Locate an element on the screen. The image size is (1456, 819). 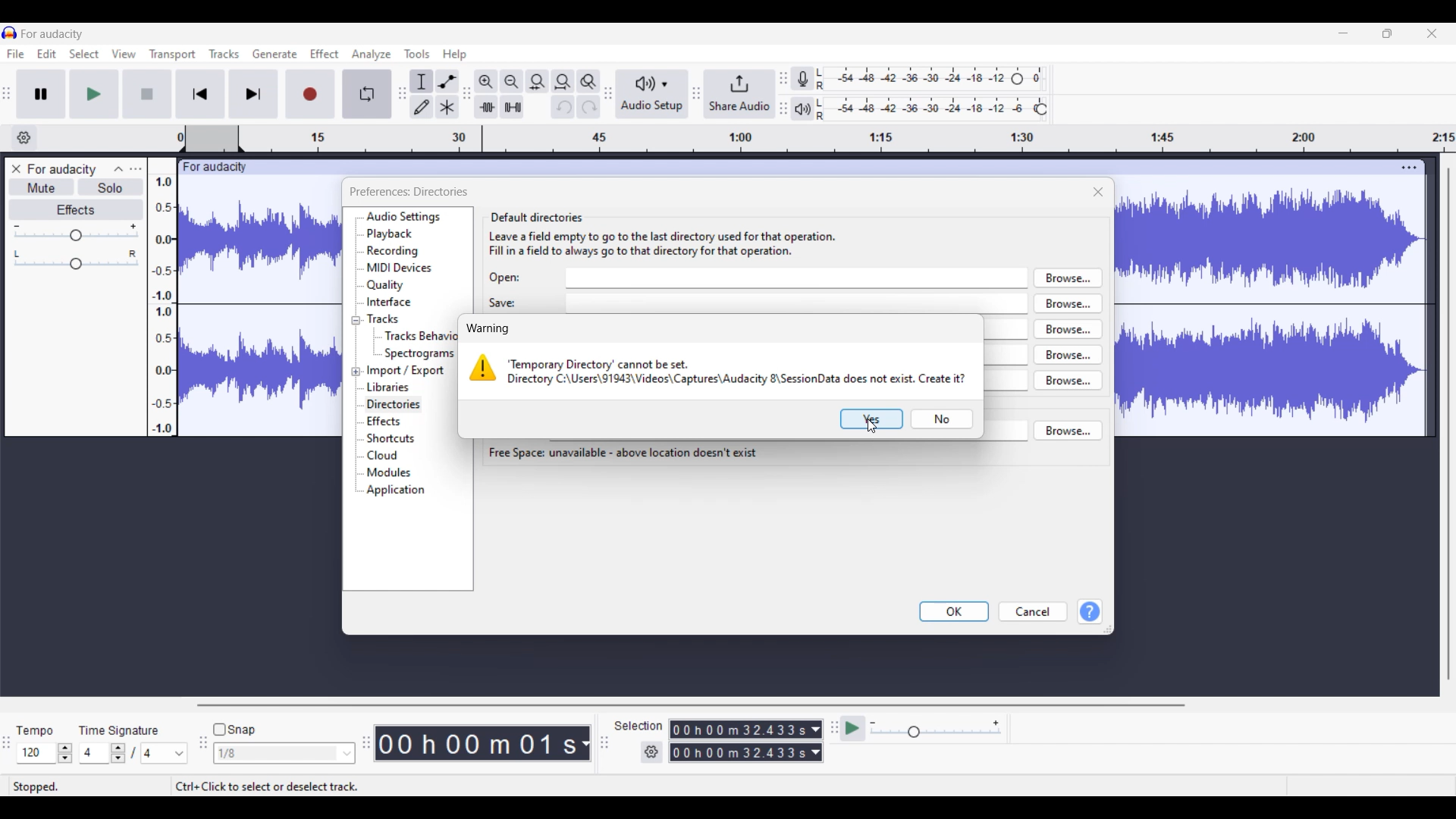
MIDI devices is located at coordinates (400, 268).